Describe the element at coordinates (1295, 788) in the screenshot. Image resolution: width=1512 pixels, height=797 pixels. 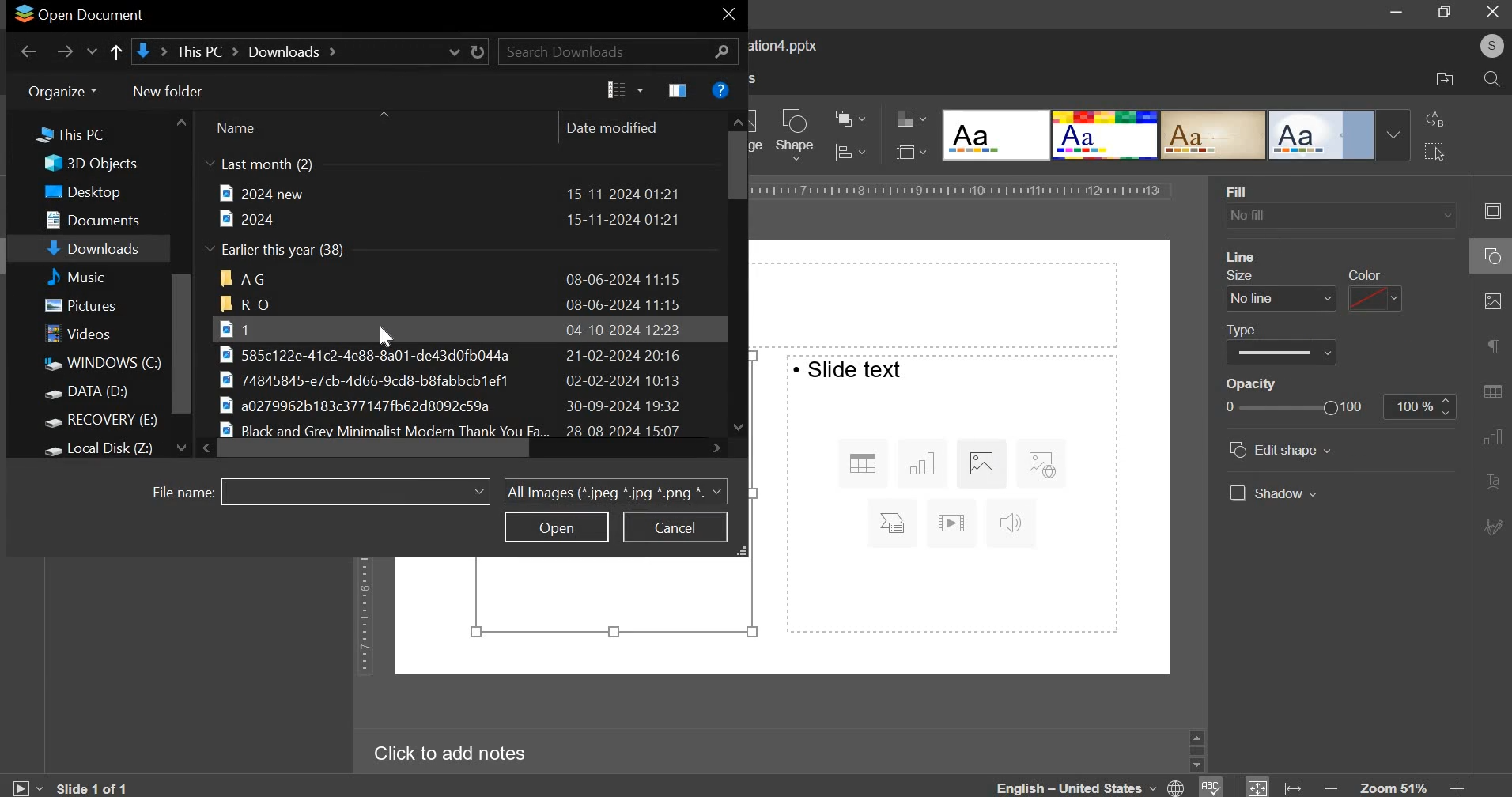
I see `fit to width` at that location.